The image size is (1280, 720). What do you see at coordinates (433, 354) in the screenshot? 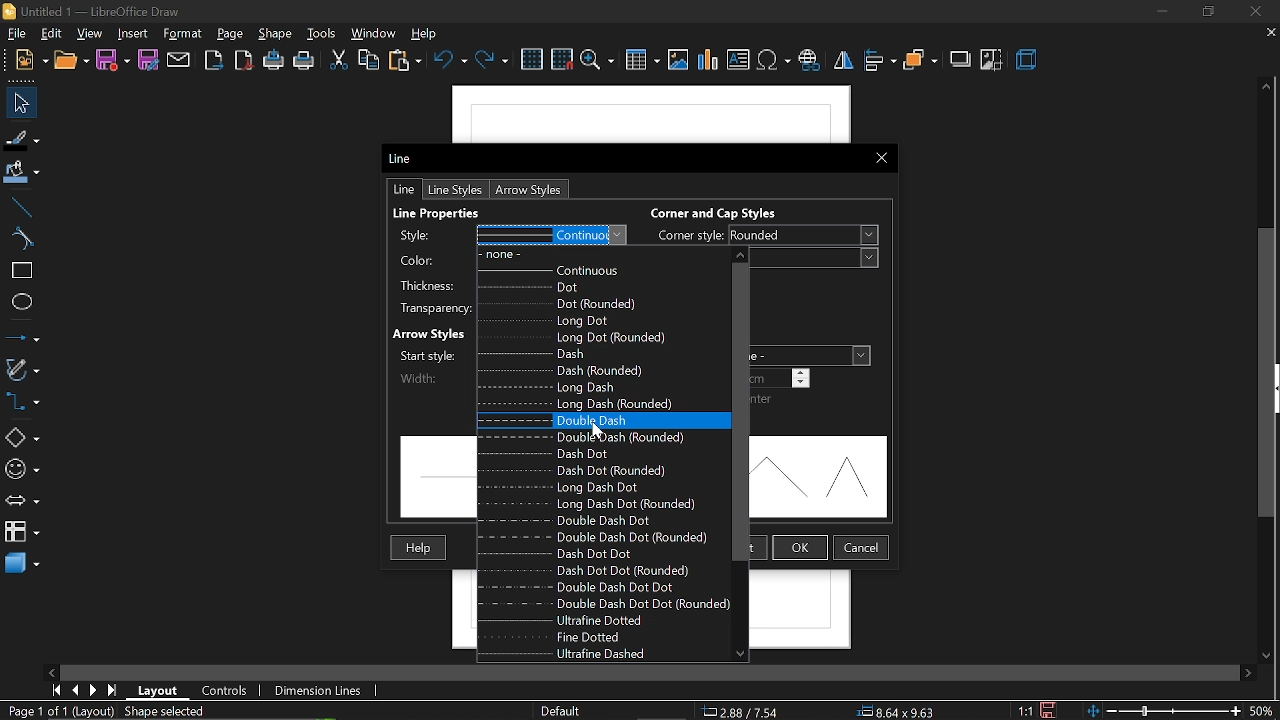
I see `start width` at bounding box center [433, 354].